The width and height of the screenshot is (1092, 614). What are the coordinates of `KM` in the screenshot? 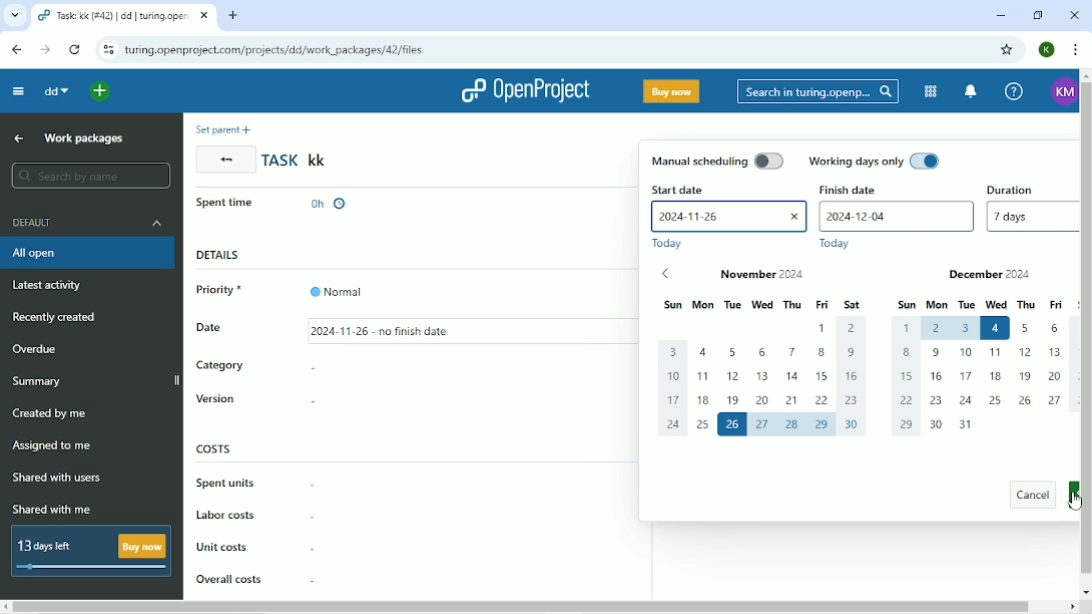 It's located at (1059, 93).